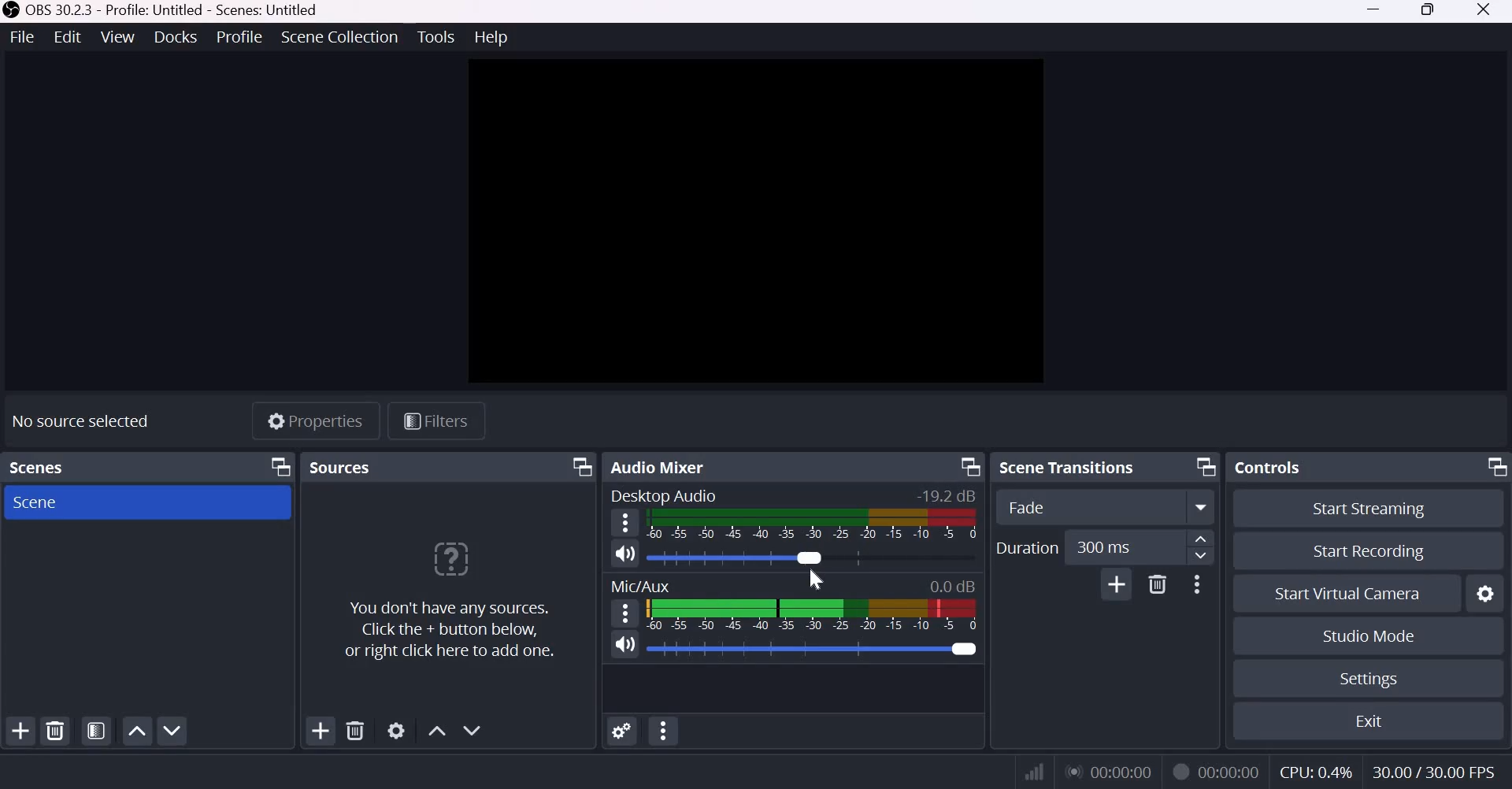  What do you see at coordinates (357, 731) in the screenshot?
I see `Remove selected source(s)` at bounding box center [357, 731].